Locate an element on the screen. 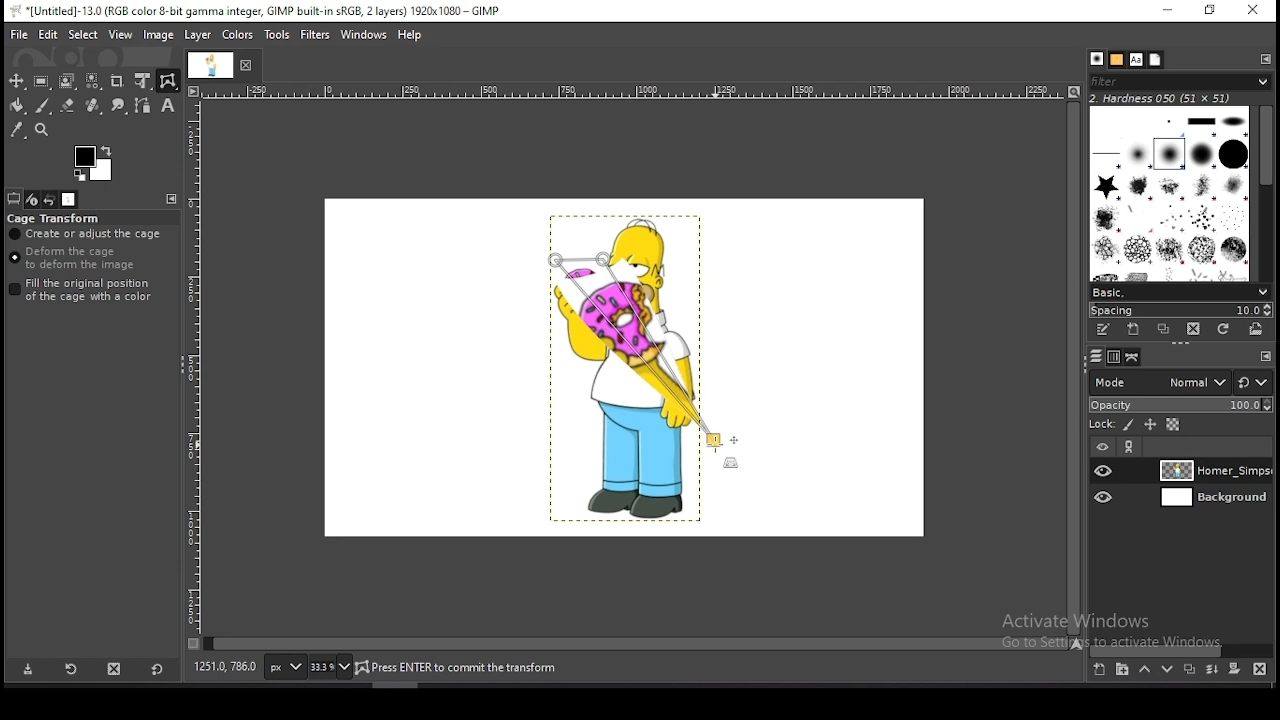 The width and height of the screenshot is (1280, 720). delete tool preset is located at coordinates (116, 670).